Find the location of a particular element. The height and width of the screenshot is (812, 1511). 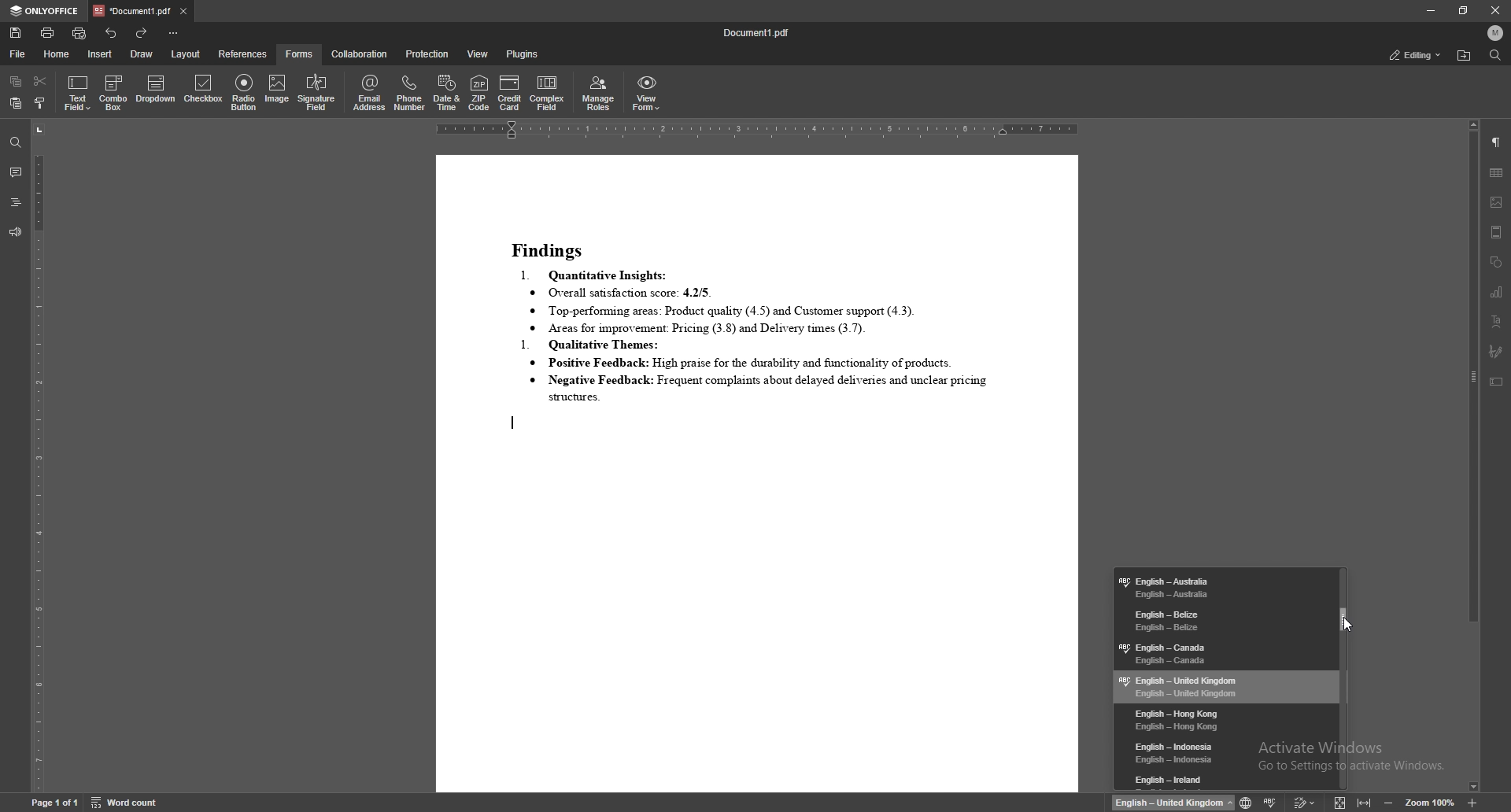

scroll bar is located at coordinates (1473, 458).